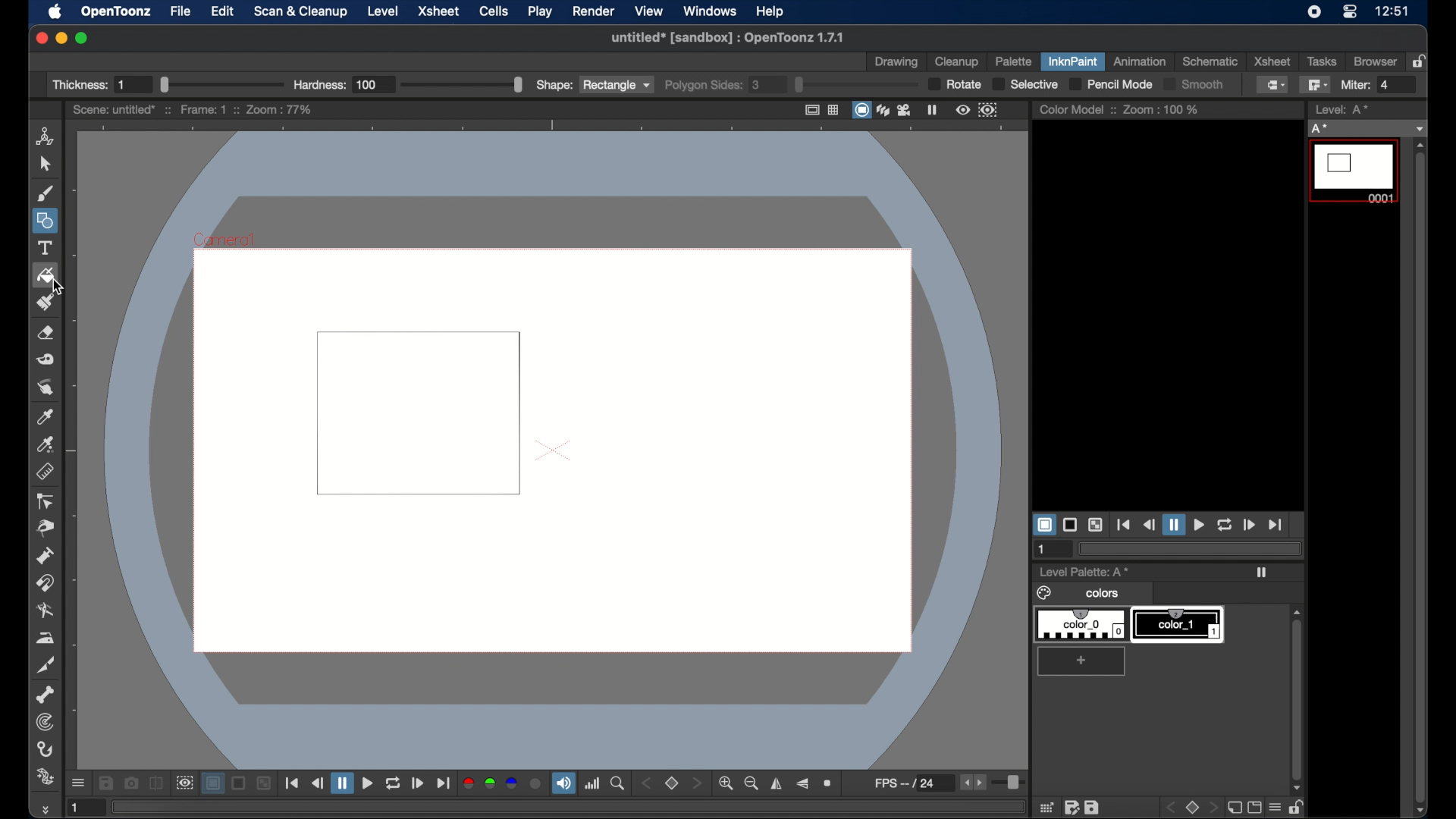  Describe the element at coordinates (317, 783) in the screenshot. I see `rewind` at that location.